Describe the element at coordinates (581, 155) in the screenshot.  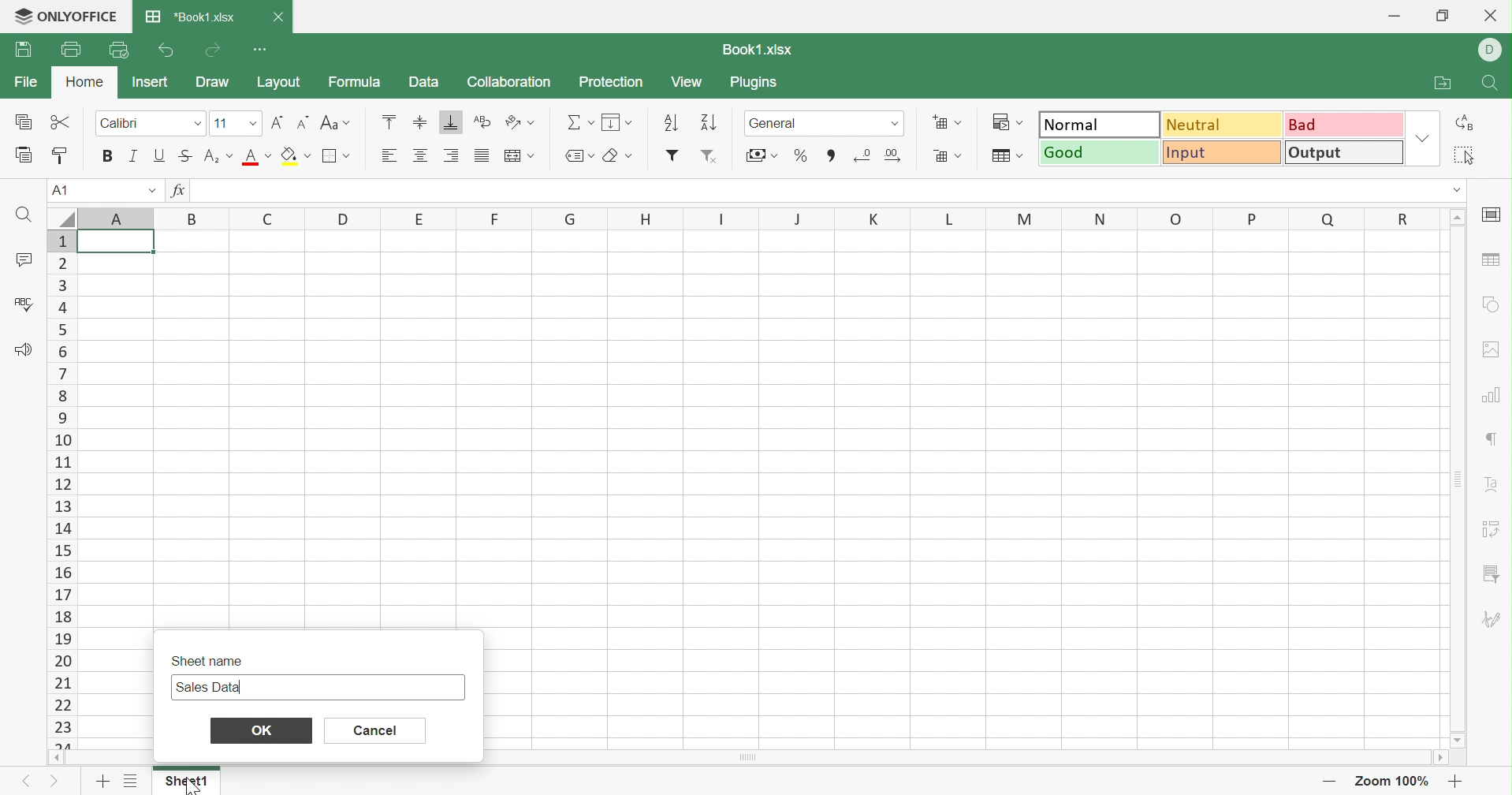
I see `Named ranges` at that location.